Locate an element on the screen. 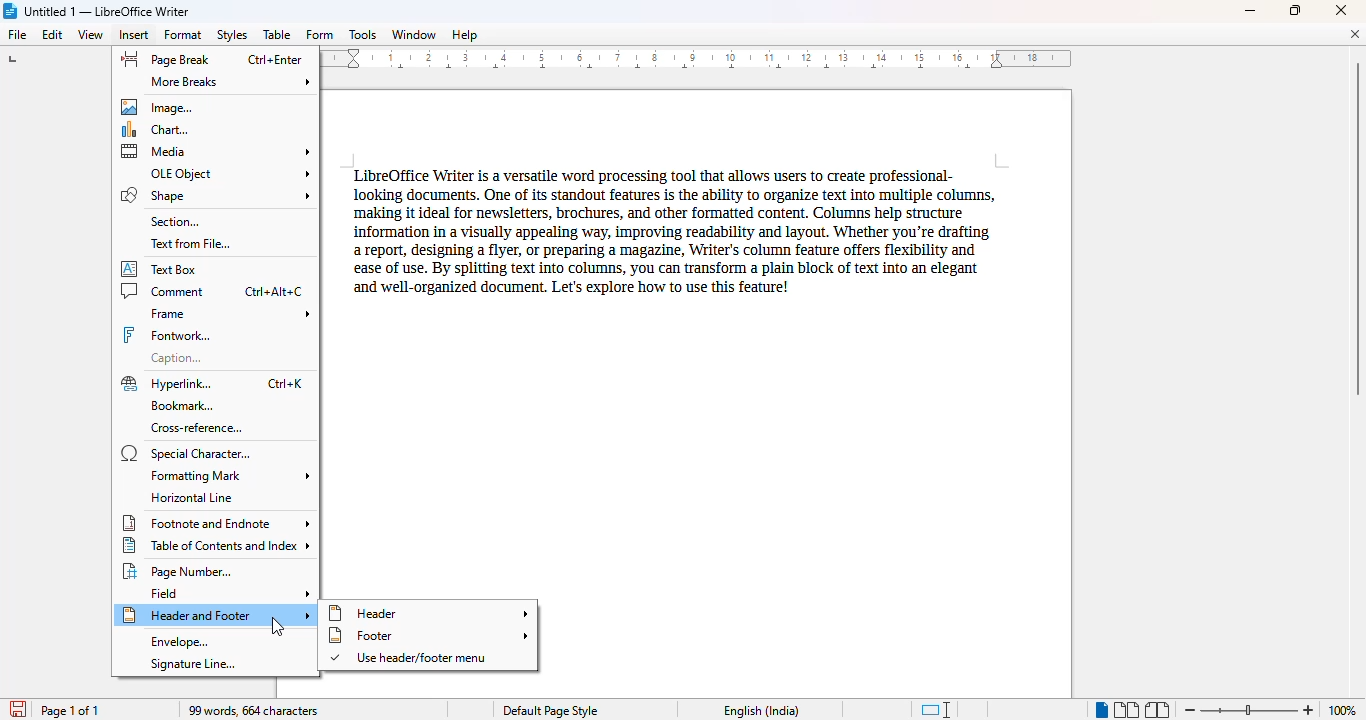  special character is located at coordinates (185, 453).